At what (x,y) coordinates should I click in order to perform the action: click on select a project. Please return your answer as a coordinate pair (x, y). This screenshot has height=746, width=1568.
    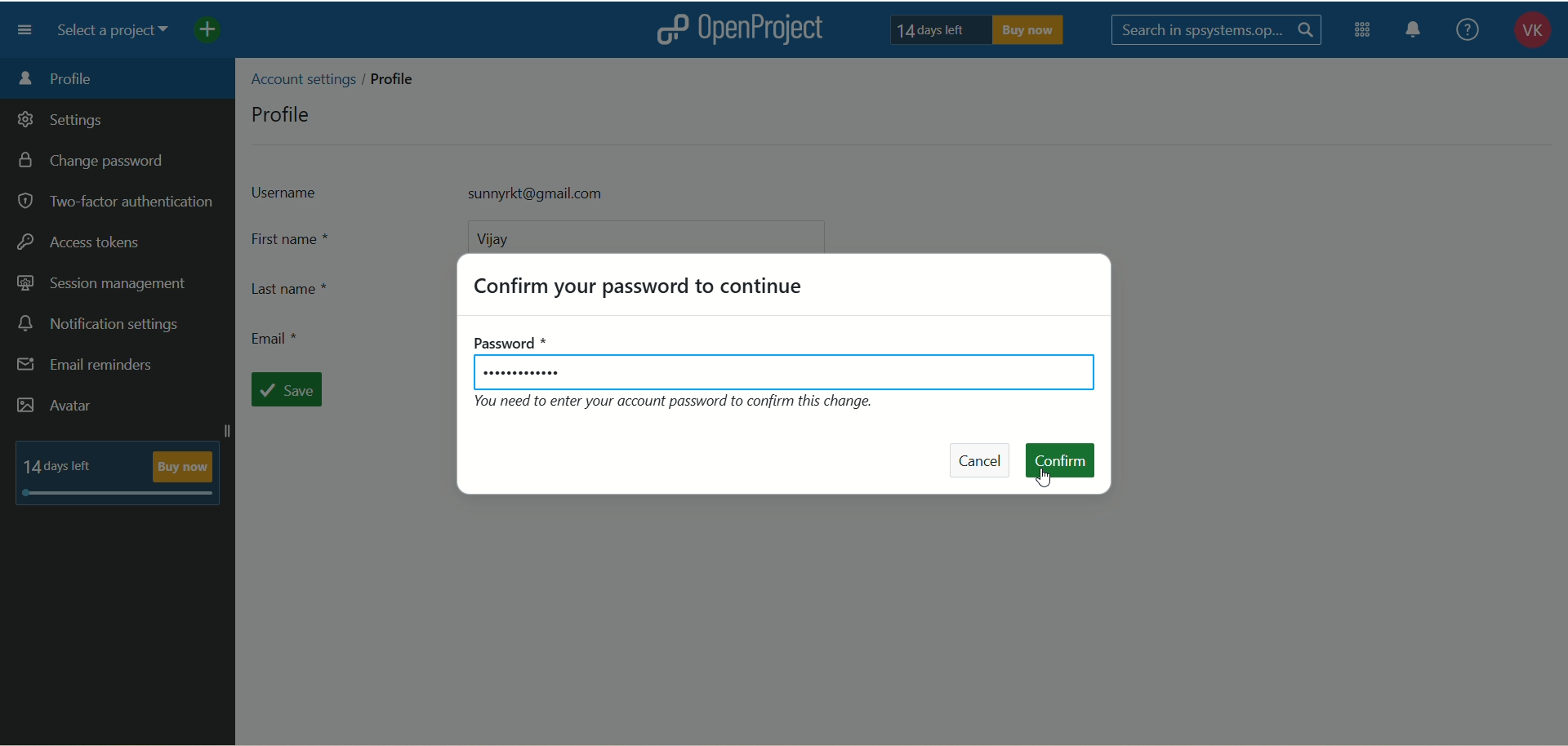
    Looking at the image, I should click on (119, 33).